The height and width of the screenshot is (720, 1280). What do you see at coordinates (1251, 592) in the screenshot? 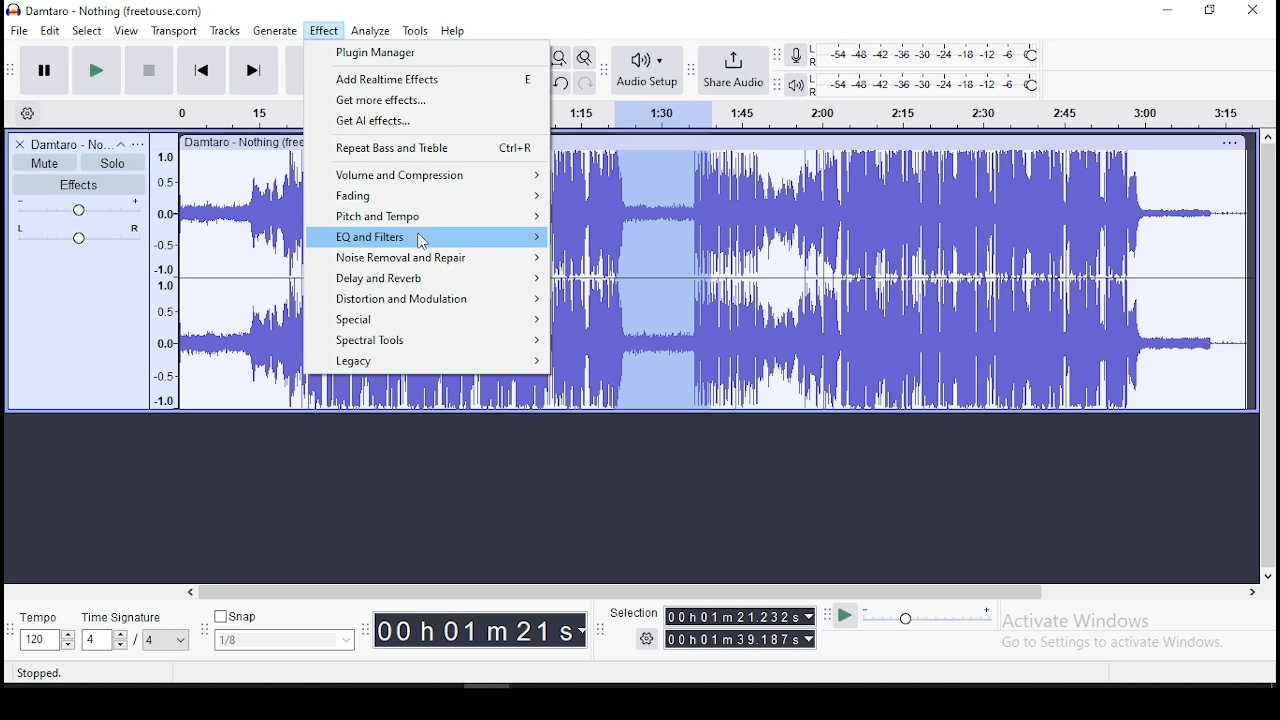
I see `right` at bounding box center [1251, 592].